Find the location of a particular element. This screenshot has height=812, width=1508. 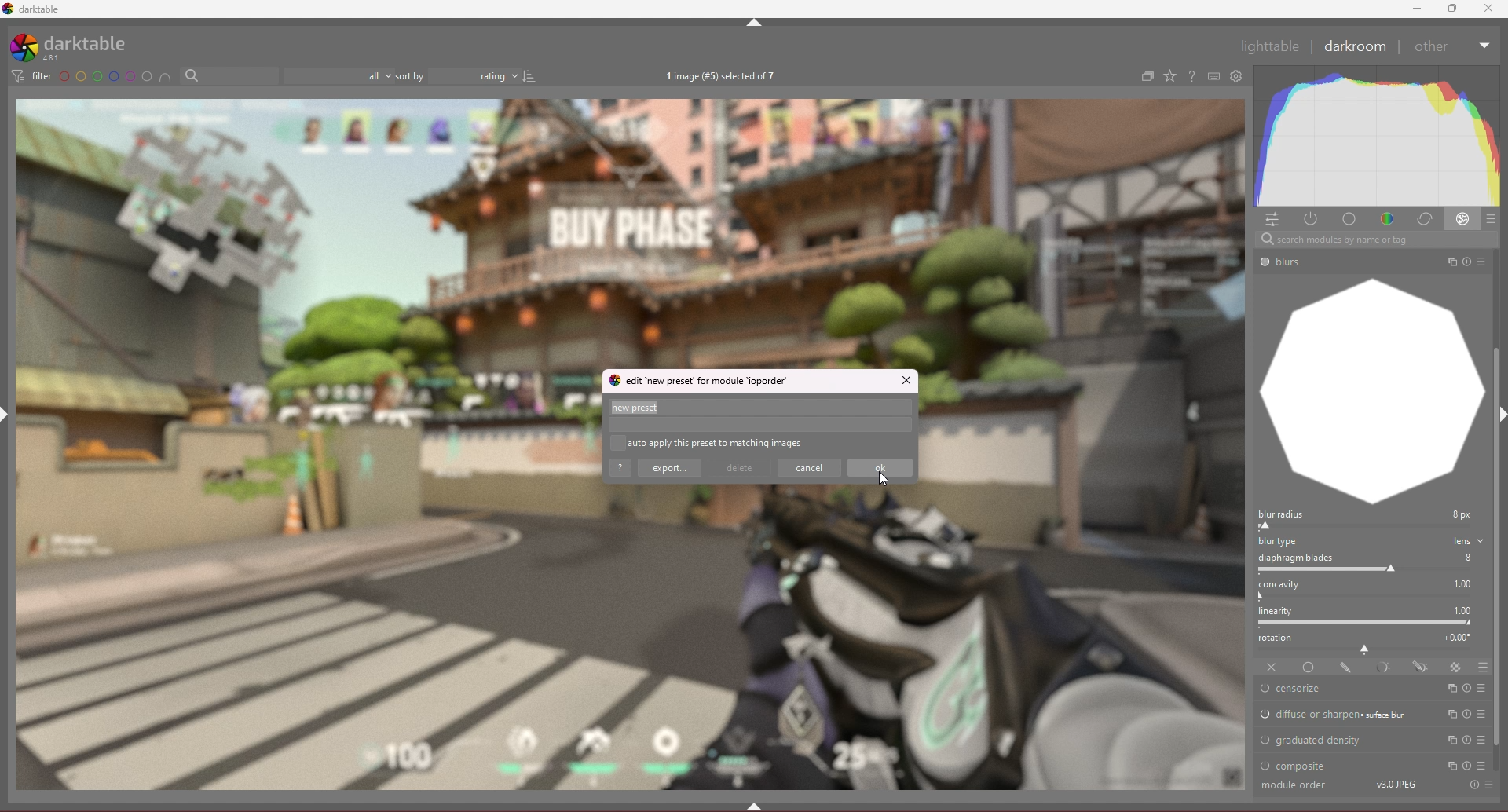

preset name is located at coordinates (646, 407).